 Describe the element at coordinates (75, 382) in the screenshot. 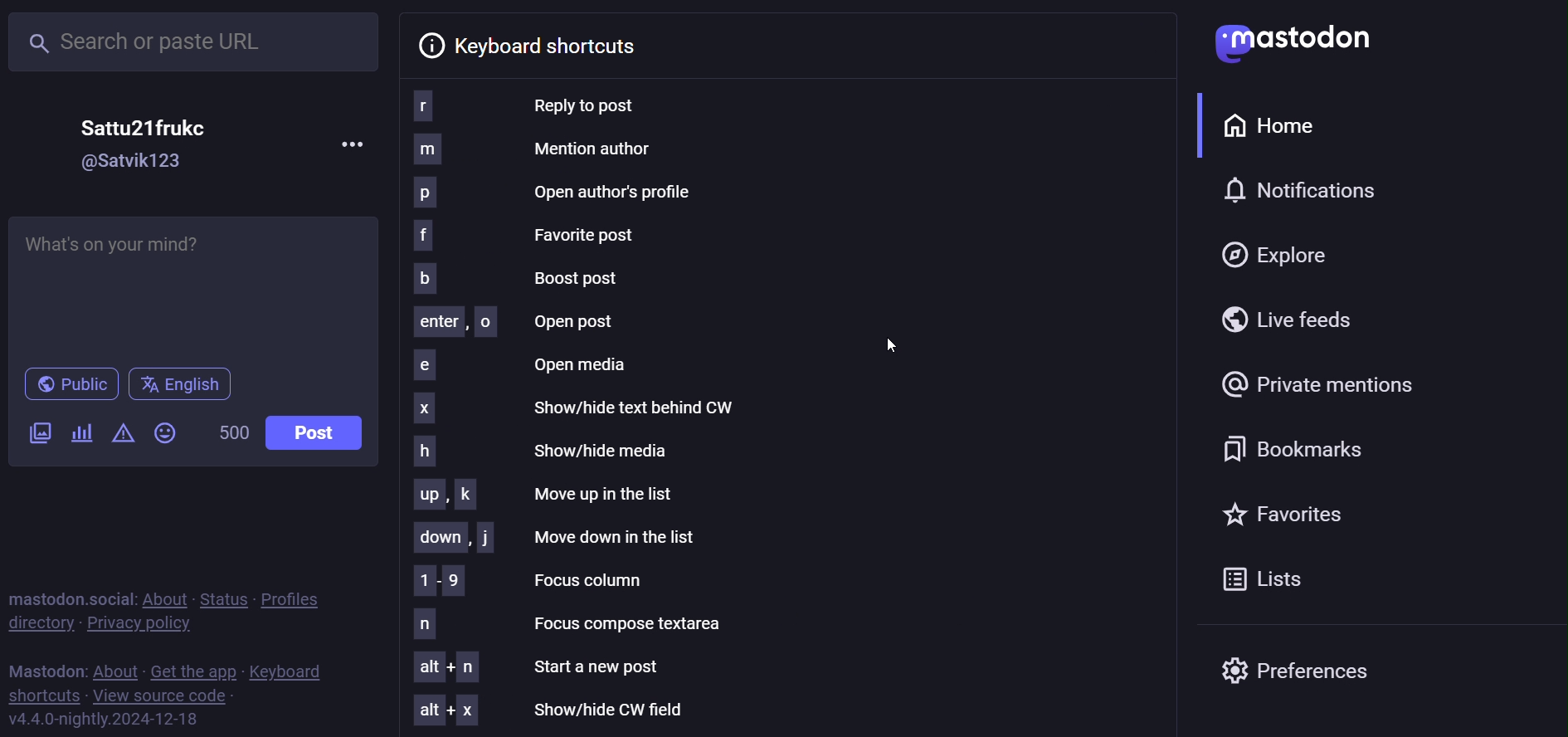

I see `public` at that location.